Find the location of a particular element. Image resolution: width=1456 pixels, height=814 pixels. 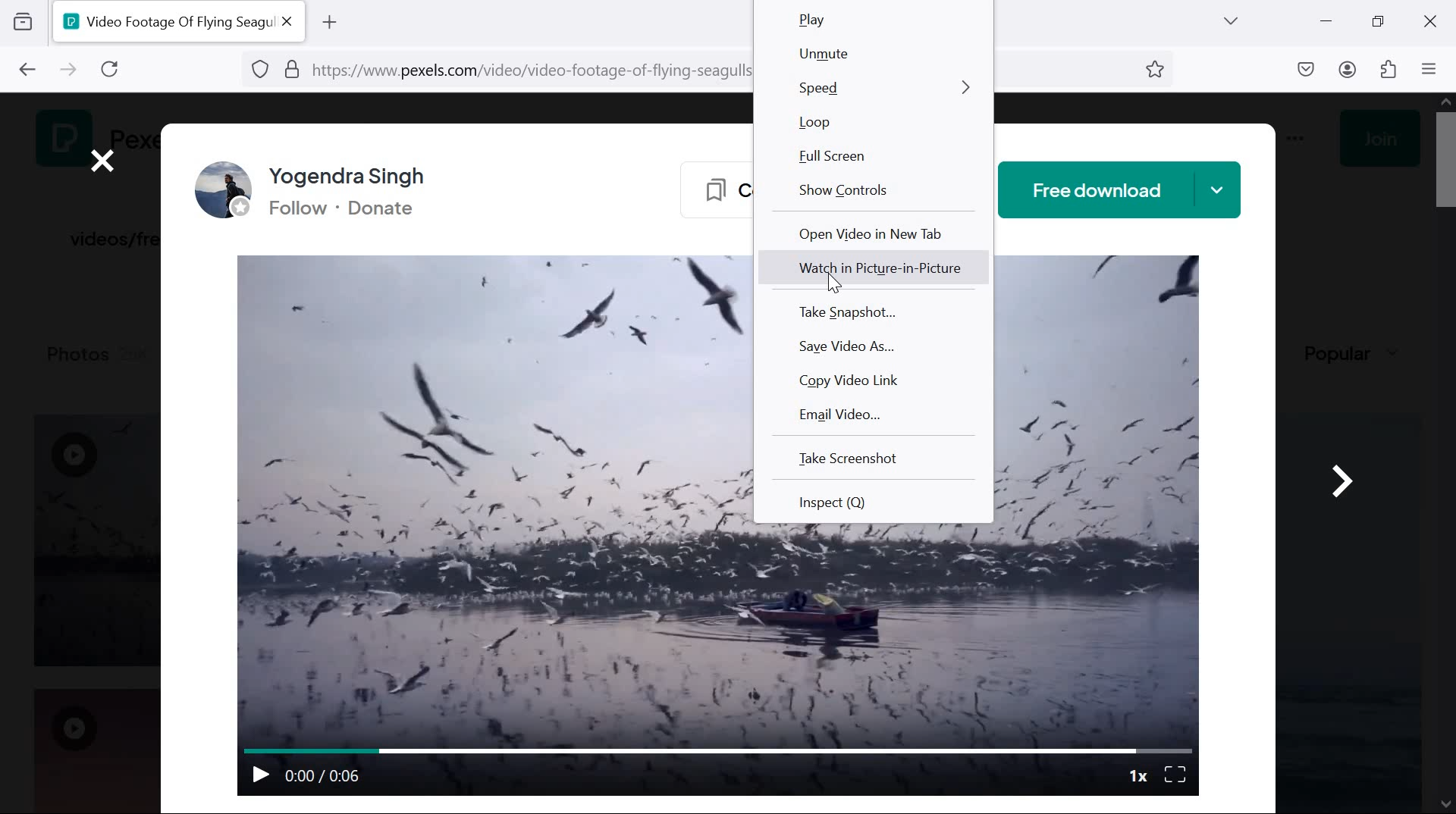

play is located at coordinates (257, 772).